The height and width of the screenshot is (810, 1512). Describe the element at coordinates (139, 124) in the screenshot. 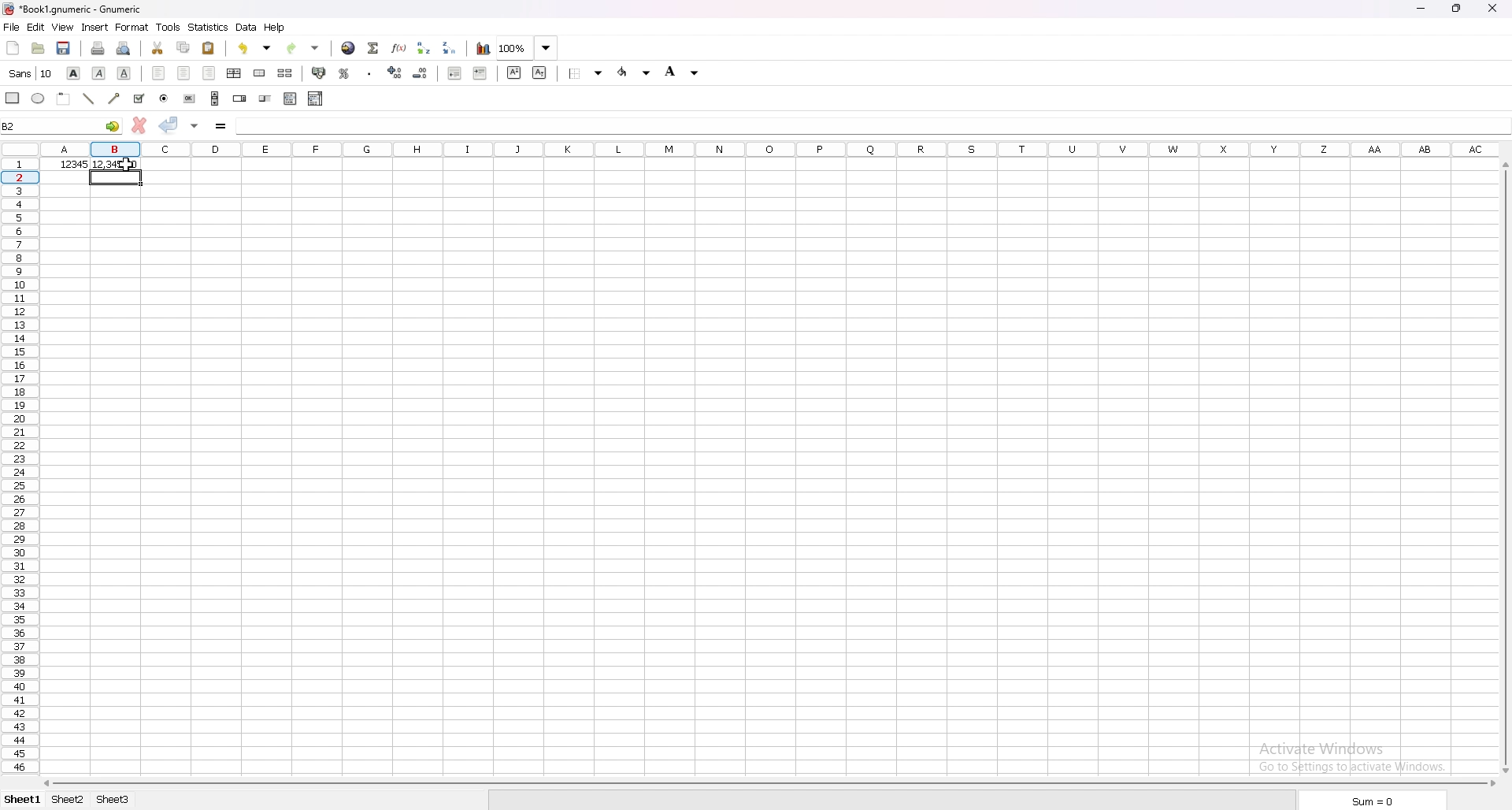

I see `cancel changes` at that location.